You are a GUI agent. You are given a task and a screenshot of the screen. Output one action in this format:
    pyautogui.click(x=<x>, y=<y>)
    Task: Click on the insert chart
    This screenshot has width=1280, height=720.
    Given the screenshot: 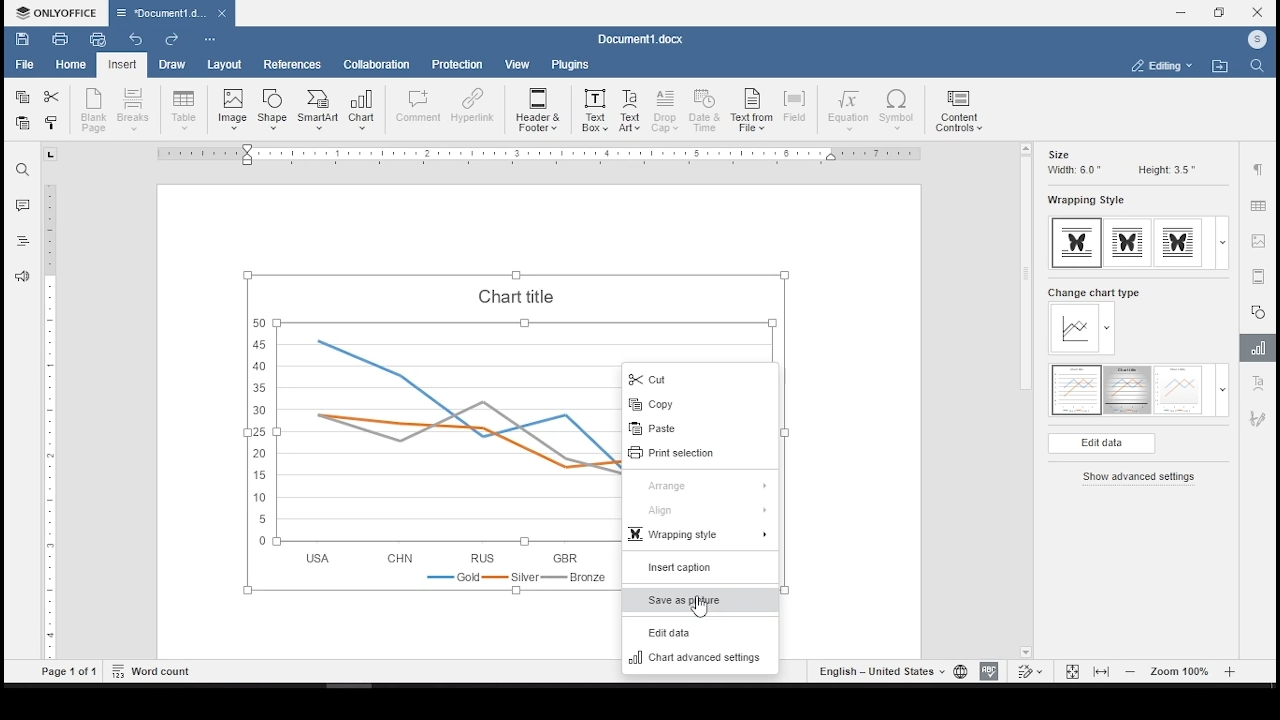 What is the action you would take?
    pyautogui.click(x=364, y=110)
    